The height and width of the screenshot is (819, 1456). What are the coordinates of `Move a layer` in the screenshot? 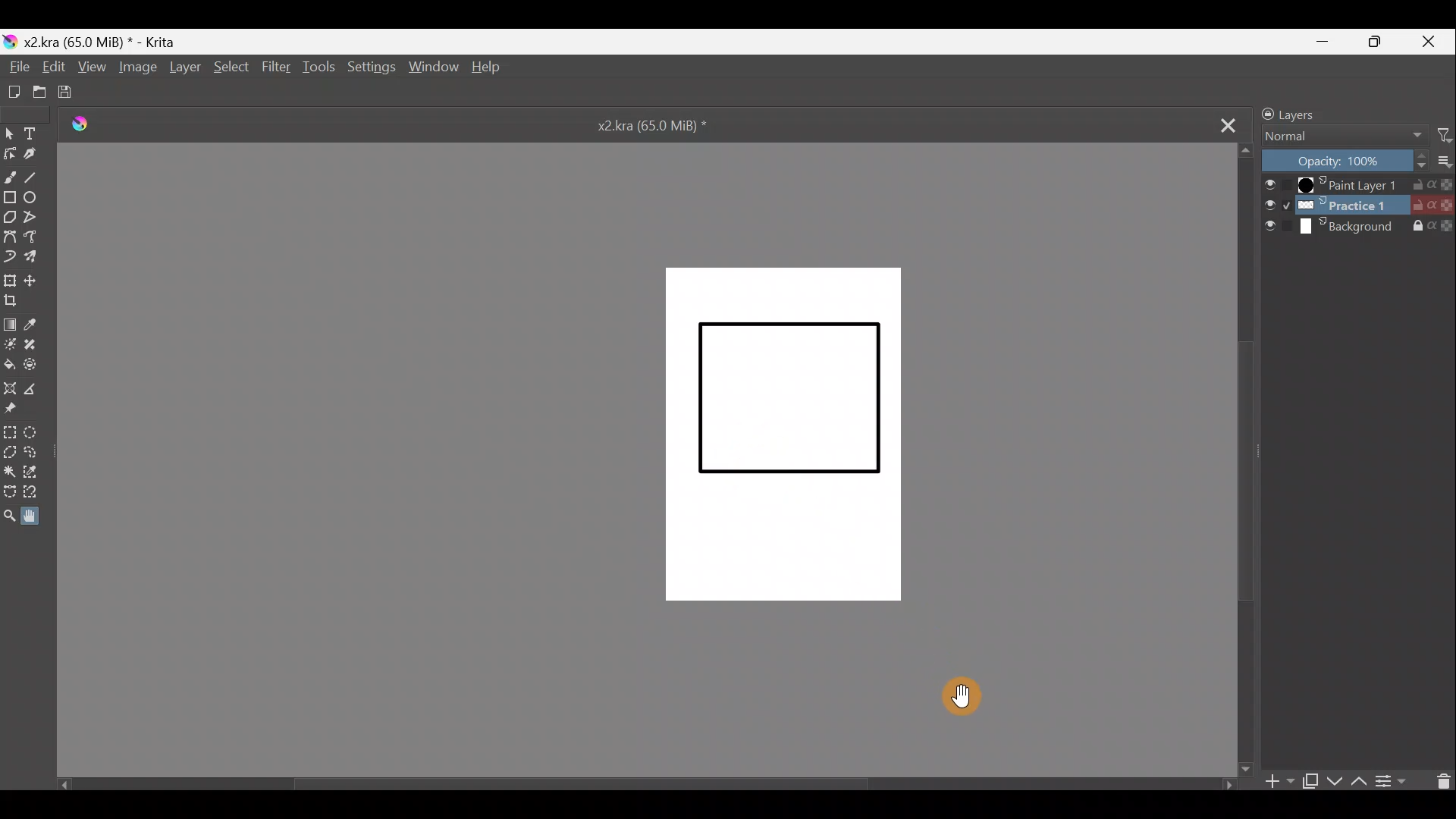 It's located at (33, 280).